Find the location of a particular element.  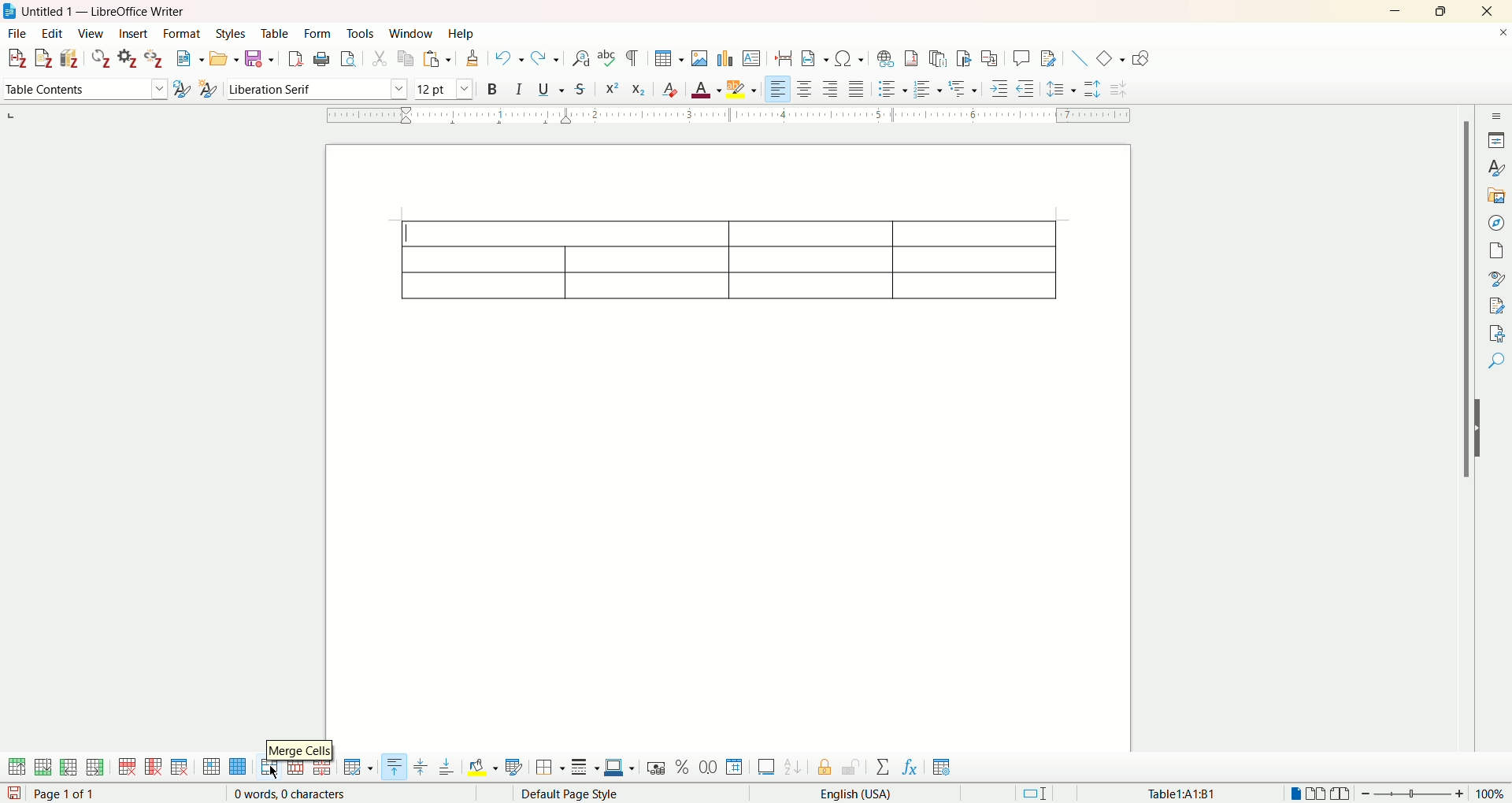

sum is located at coordinates (883, 764).